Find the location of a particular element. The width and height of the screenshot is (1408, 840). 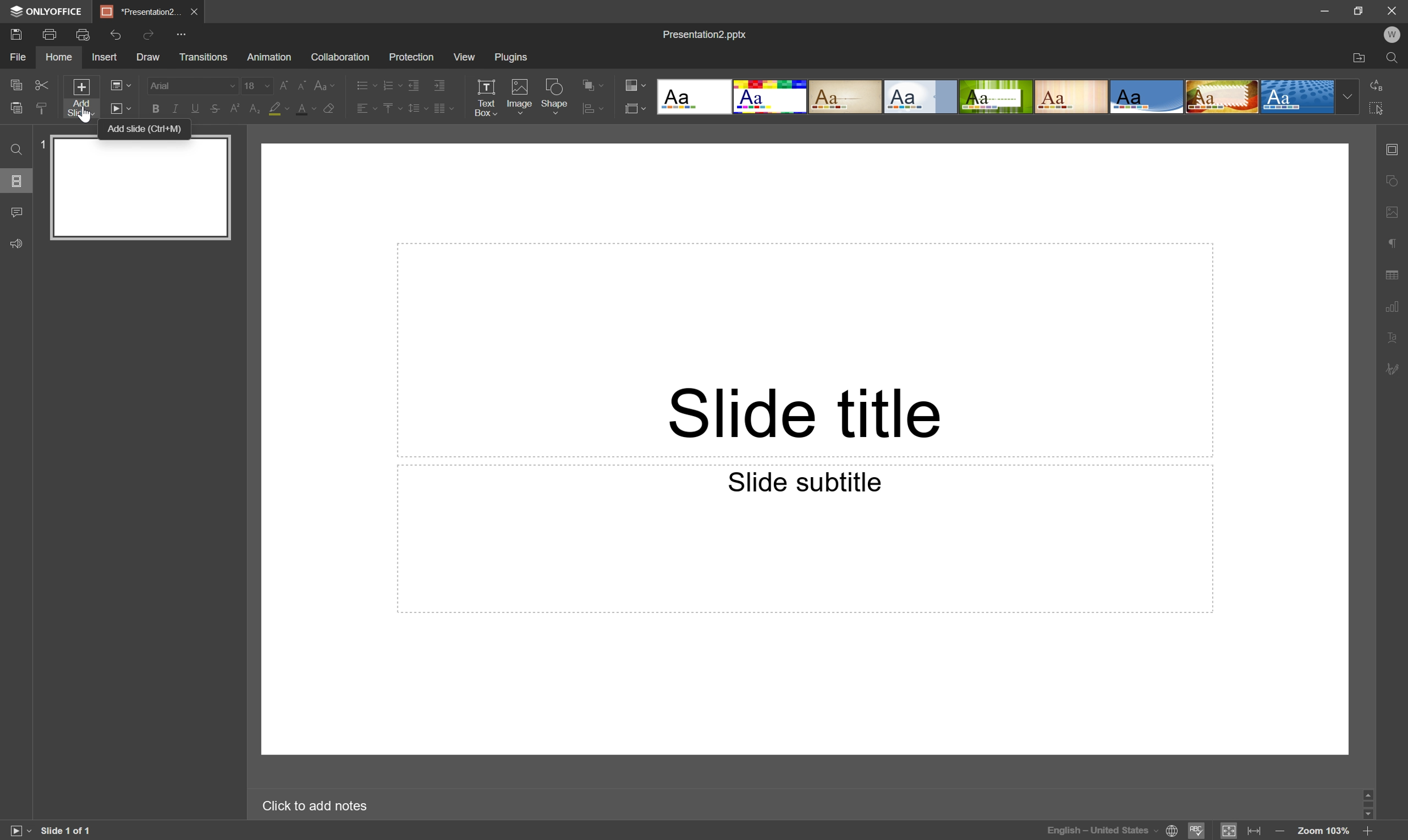

Subscript is located at coordinates (257, 107).